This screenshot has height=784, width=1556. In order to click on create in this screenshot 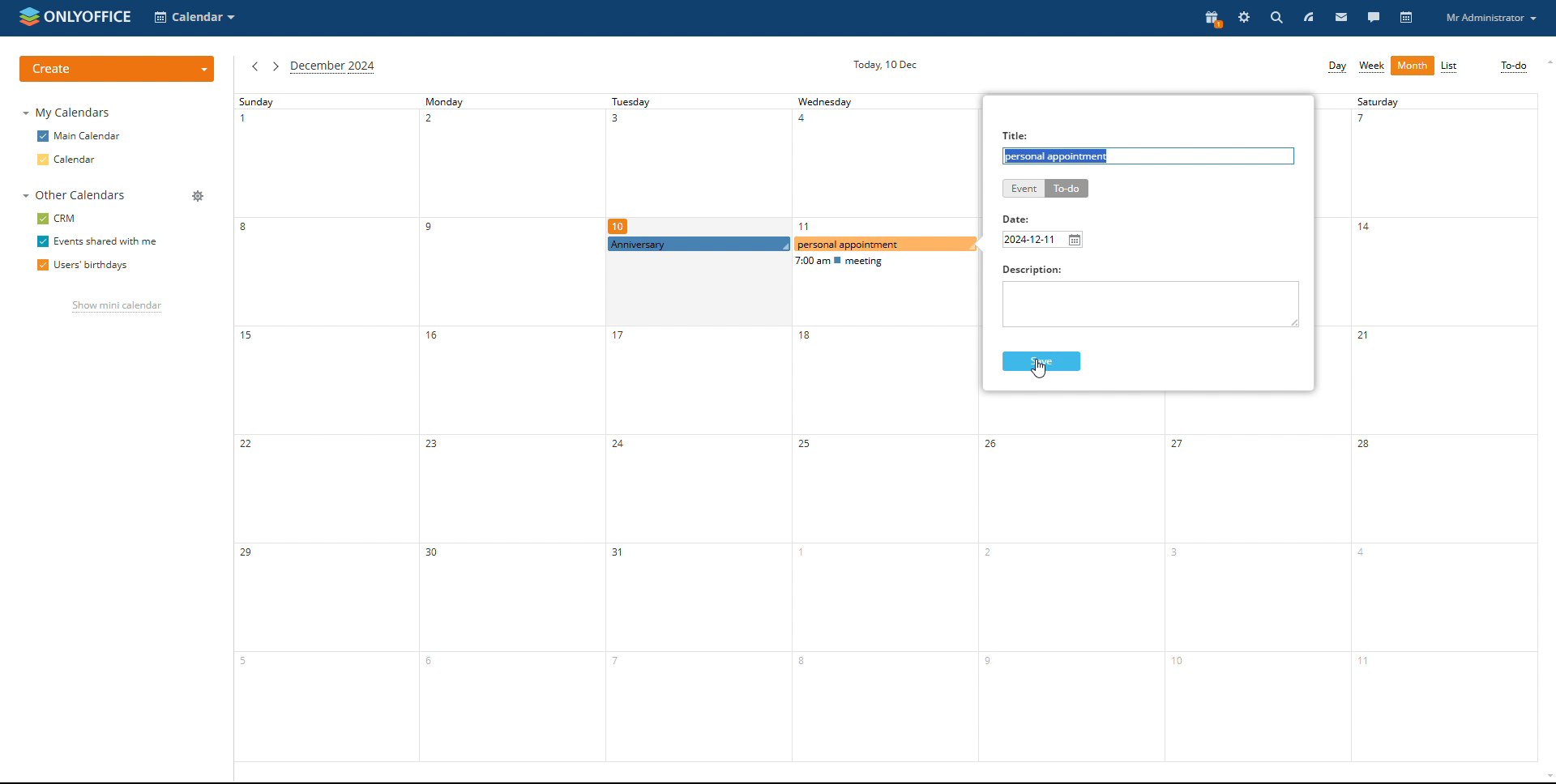, I will do `click(118, 68)`.